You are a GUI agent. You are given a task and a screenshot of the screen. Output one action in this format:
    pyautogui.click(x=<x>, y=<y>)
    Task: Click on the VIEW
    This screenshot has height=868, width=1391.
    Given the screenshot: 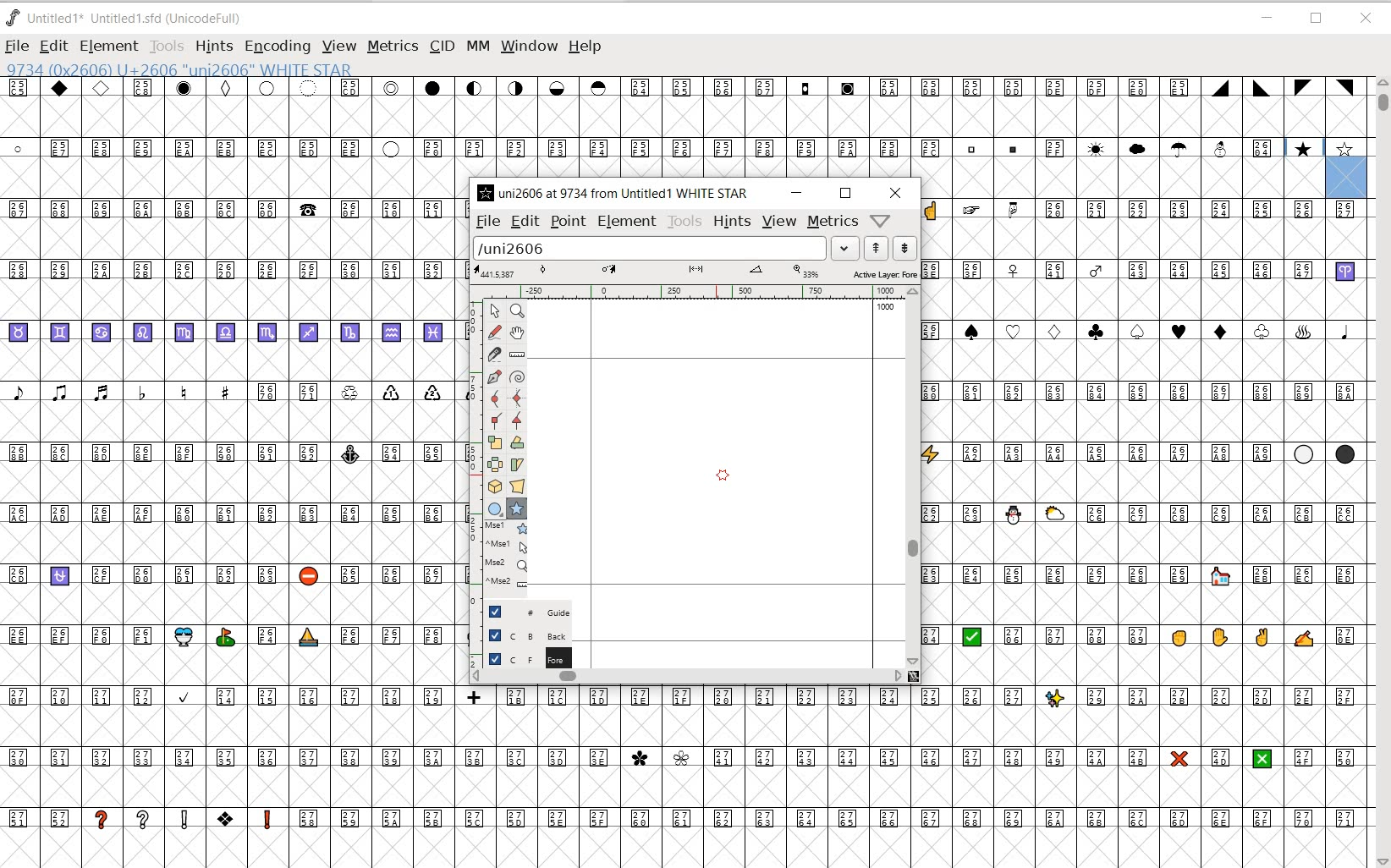 What is the action you would take?
    pyautogui.click(x=779, y=222)
    